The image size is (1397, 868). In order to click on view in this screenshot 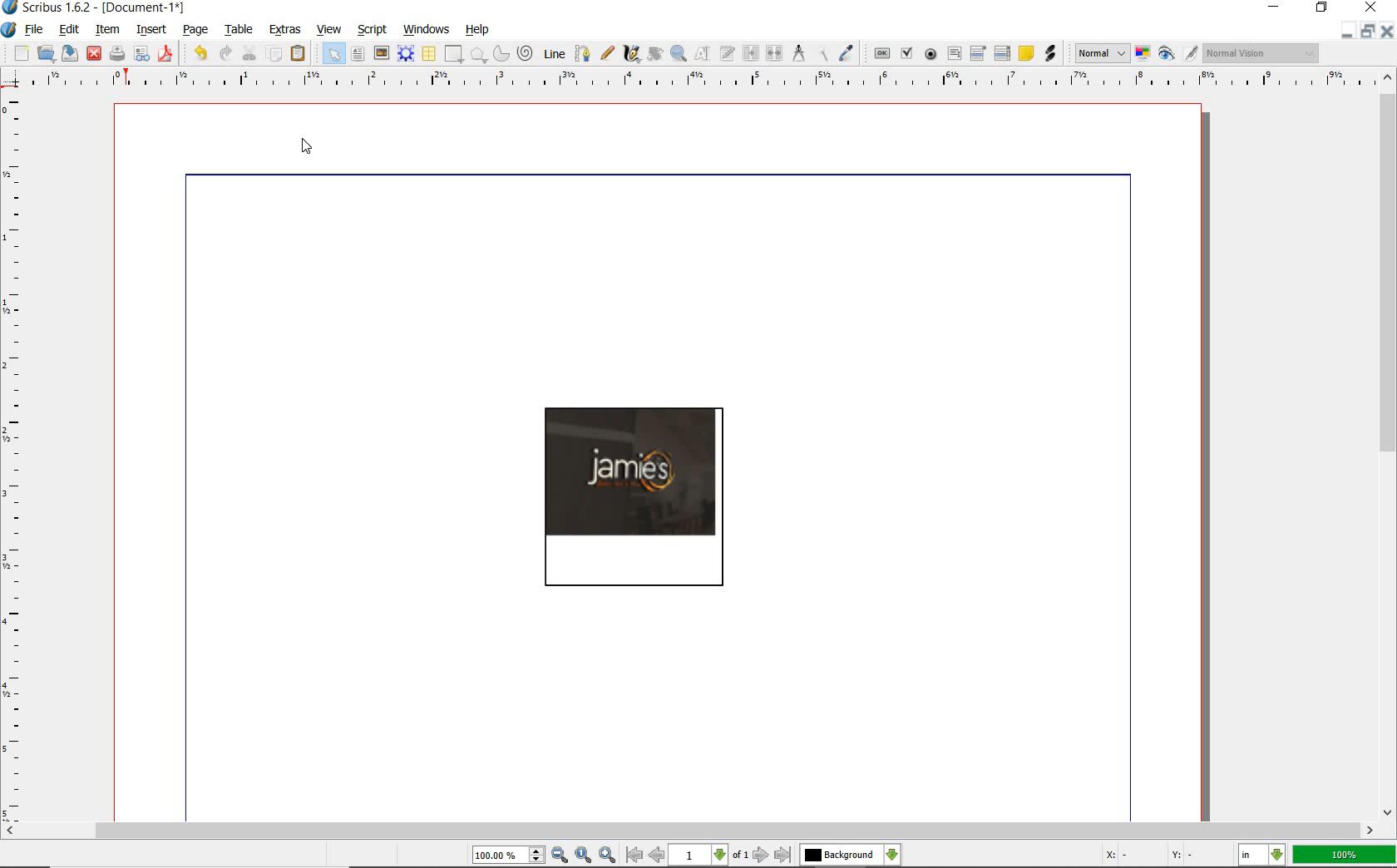, I will do `click(332, 31)`.